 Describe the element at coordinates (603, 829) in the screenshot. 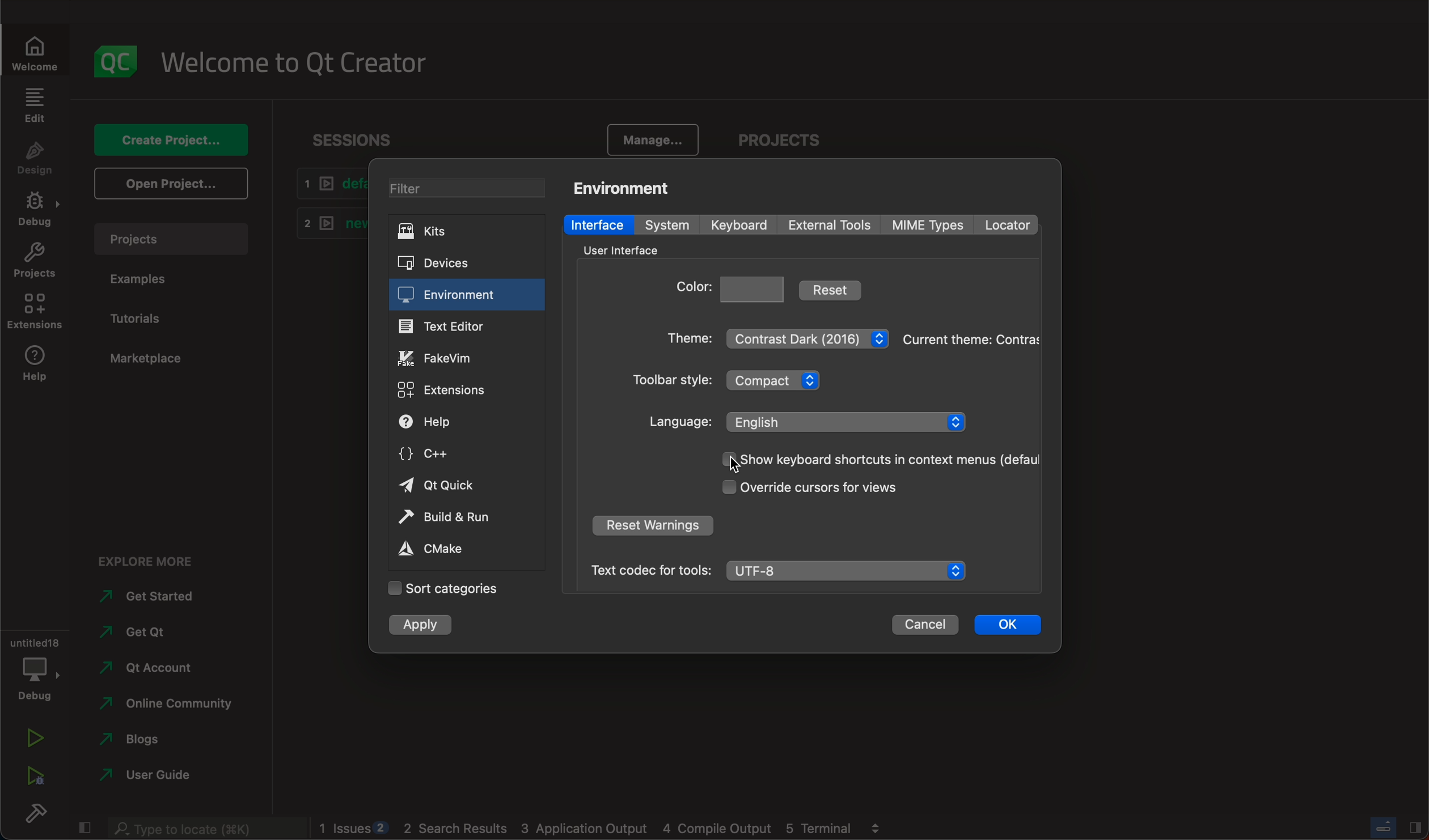

I see `logs` at that location.